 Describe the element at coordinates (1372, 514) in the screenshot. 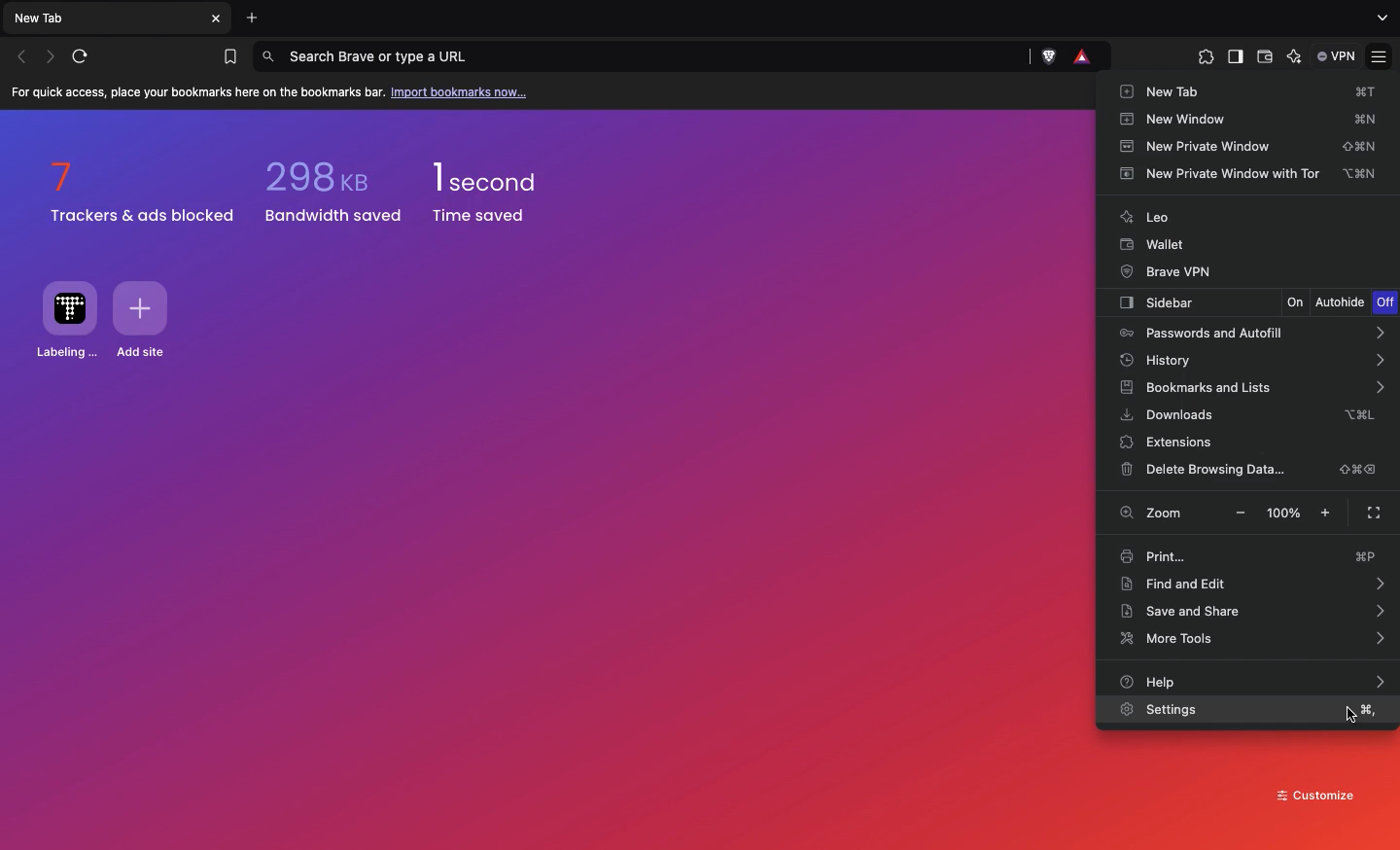

I see `Full screen` at that location.